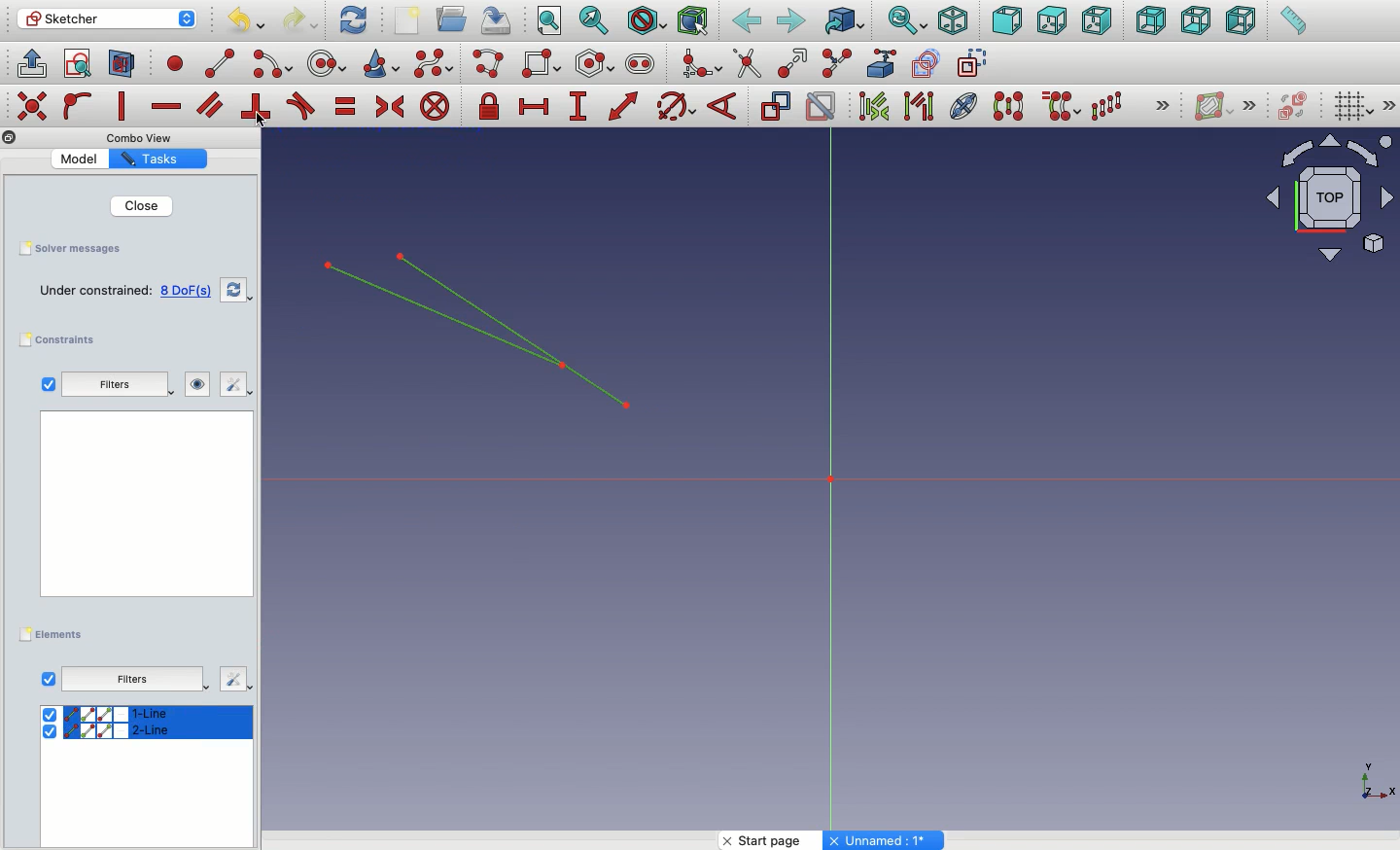 The height and width of the screenshot is (850, 1400). Describe the element at coordinates (877, 106) in the screenshot. I see `Associated constraints` at that location.